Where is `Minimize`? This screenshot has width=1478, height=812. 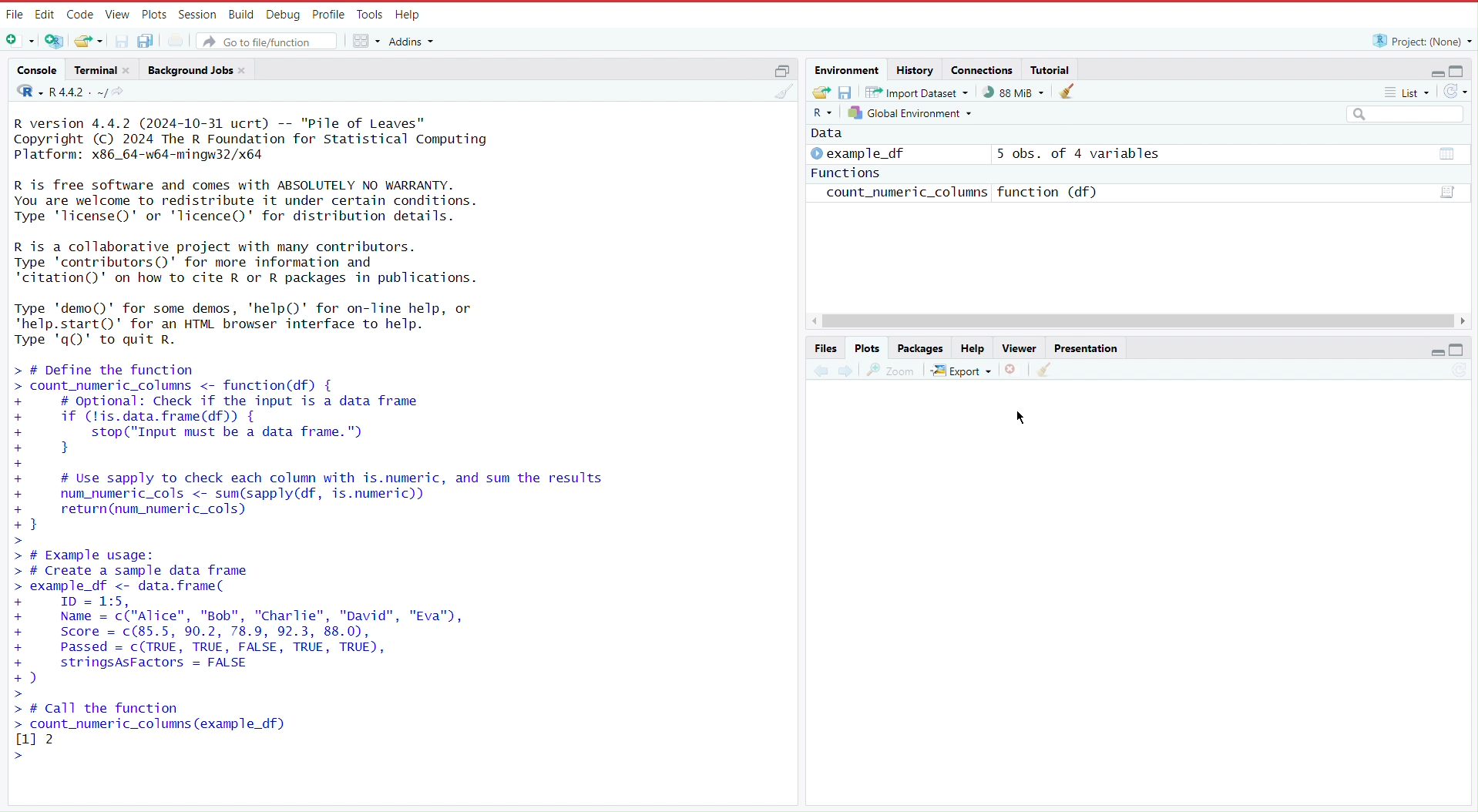 Minimize is located at coordinates (1431, 73).